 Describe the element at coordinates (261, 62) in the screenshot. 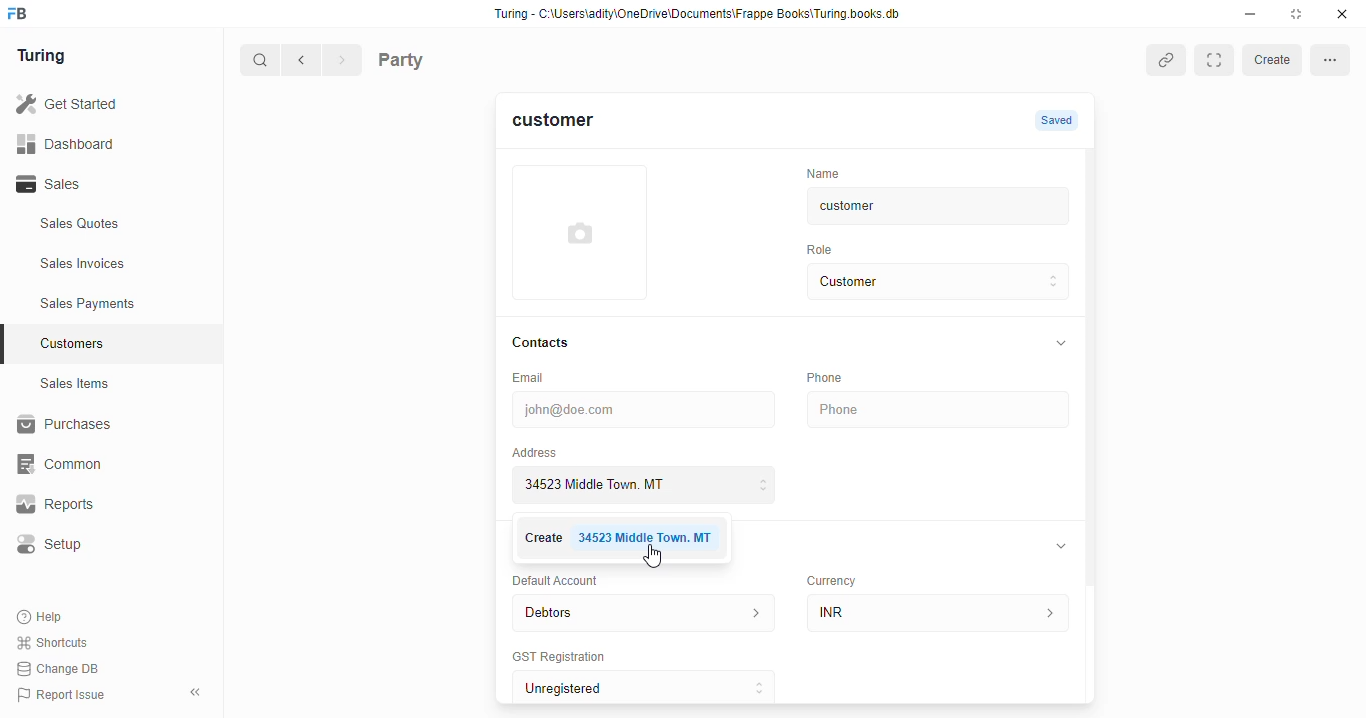

I see `search` at that location.